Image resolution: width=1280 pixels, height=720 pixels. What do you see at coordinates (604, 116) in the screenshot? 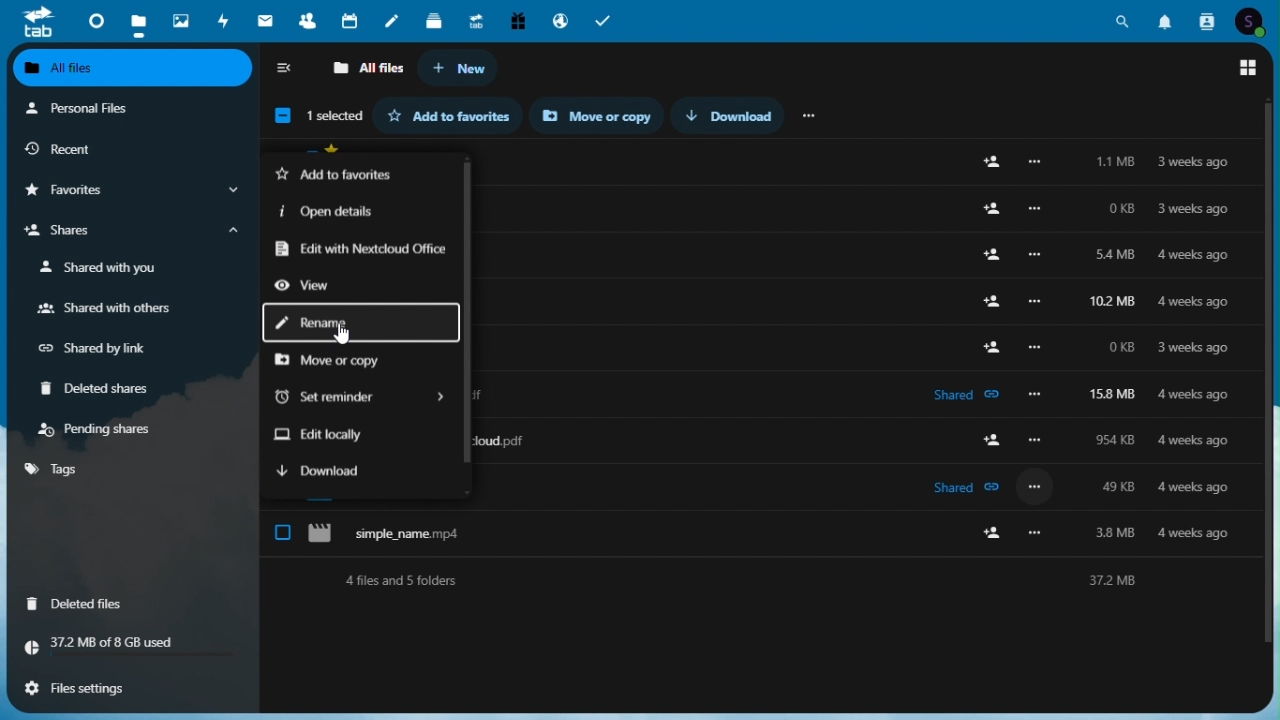
I see `Move or Copy` at bounding box center [604, 116].